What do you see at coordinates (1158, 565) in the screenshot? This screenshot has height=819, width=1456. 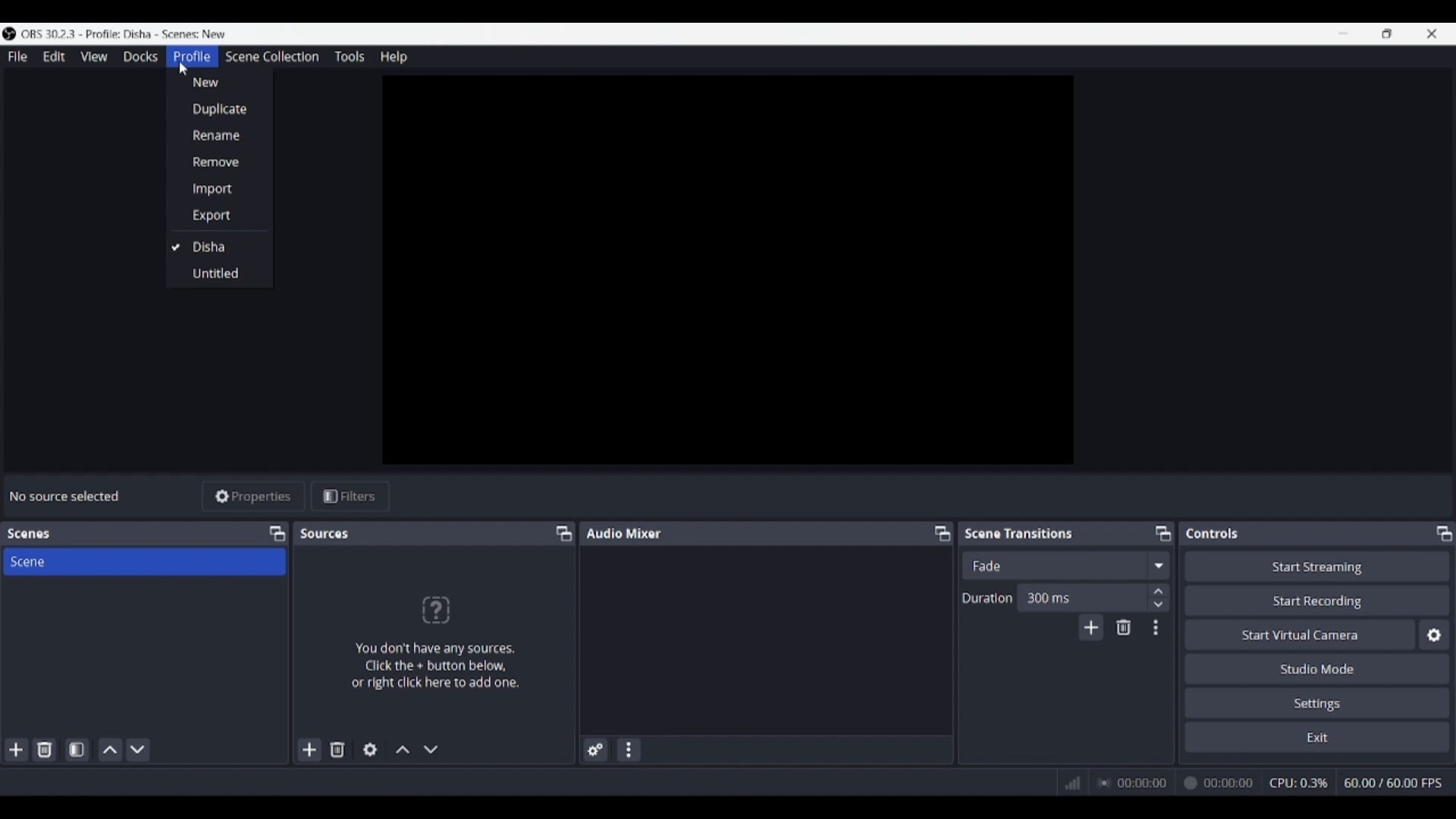 I see `Fade options` at bounding box center [1158, 565].